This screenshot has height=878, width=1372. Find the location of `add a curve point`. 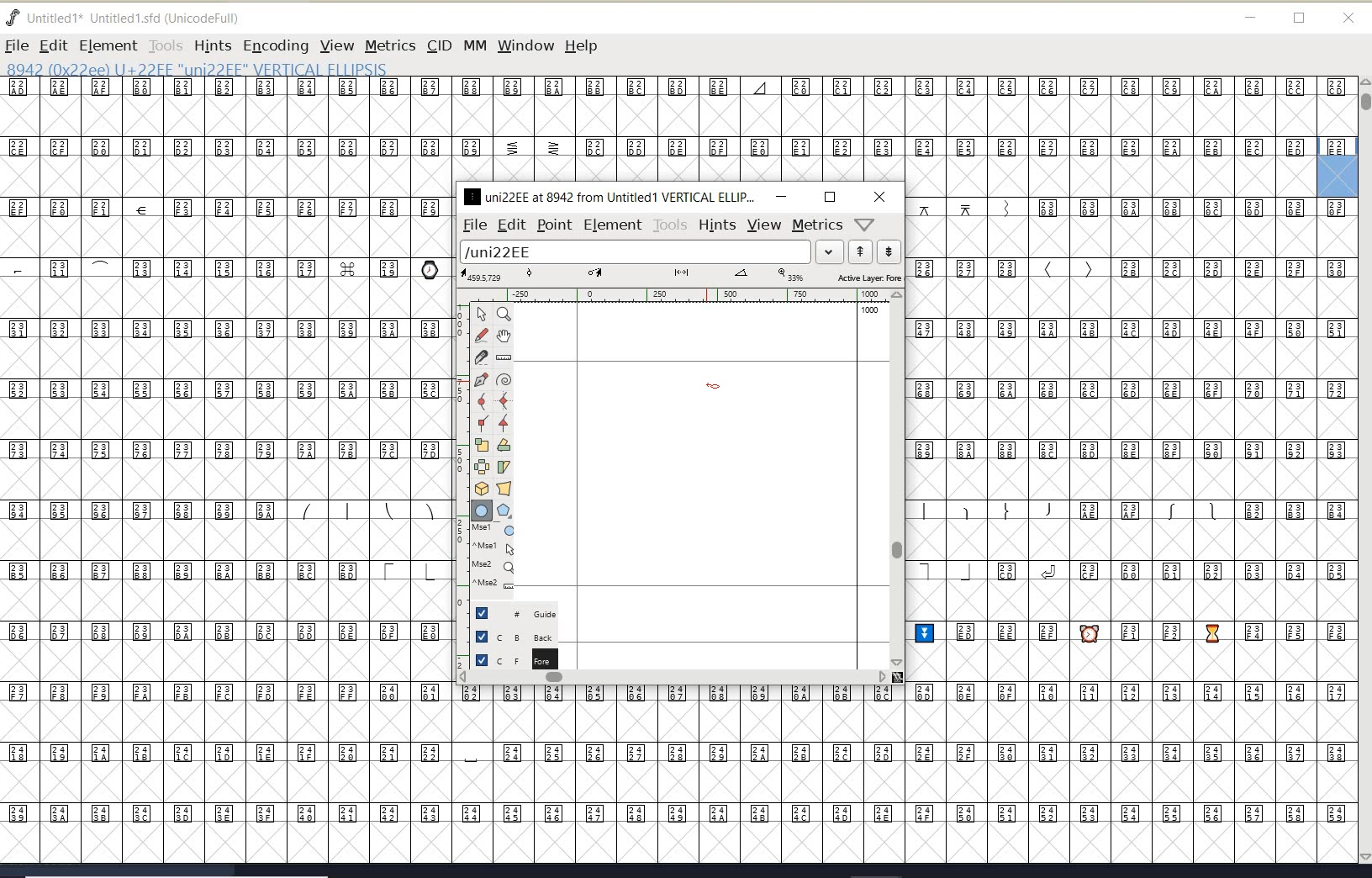

add a curve point is located at coordinates (485, 401).